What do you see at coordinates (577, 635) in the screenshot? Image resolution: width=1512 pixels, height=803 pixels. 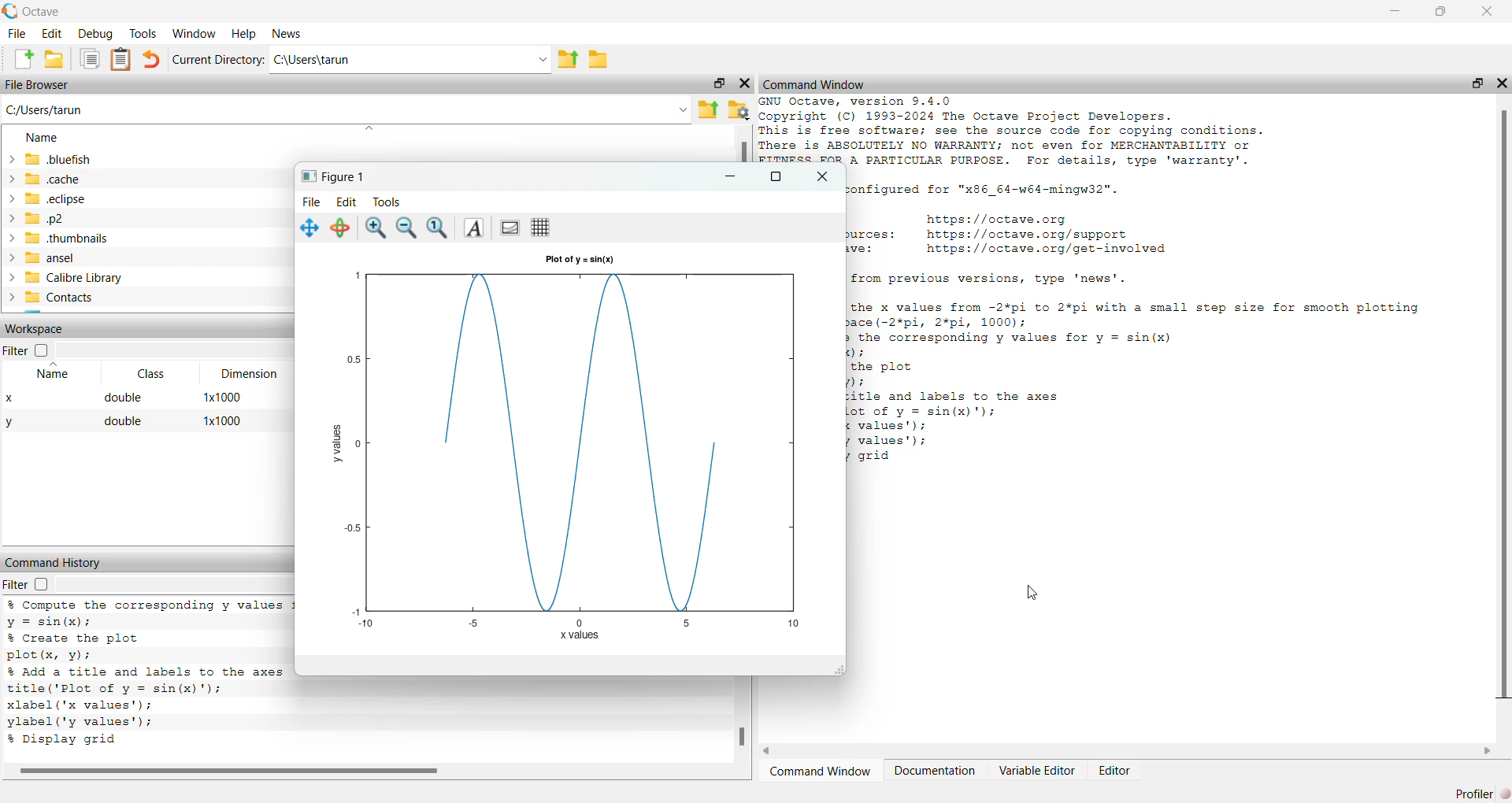 I see `x values` at bounding box center [577, 635].